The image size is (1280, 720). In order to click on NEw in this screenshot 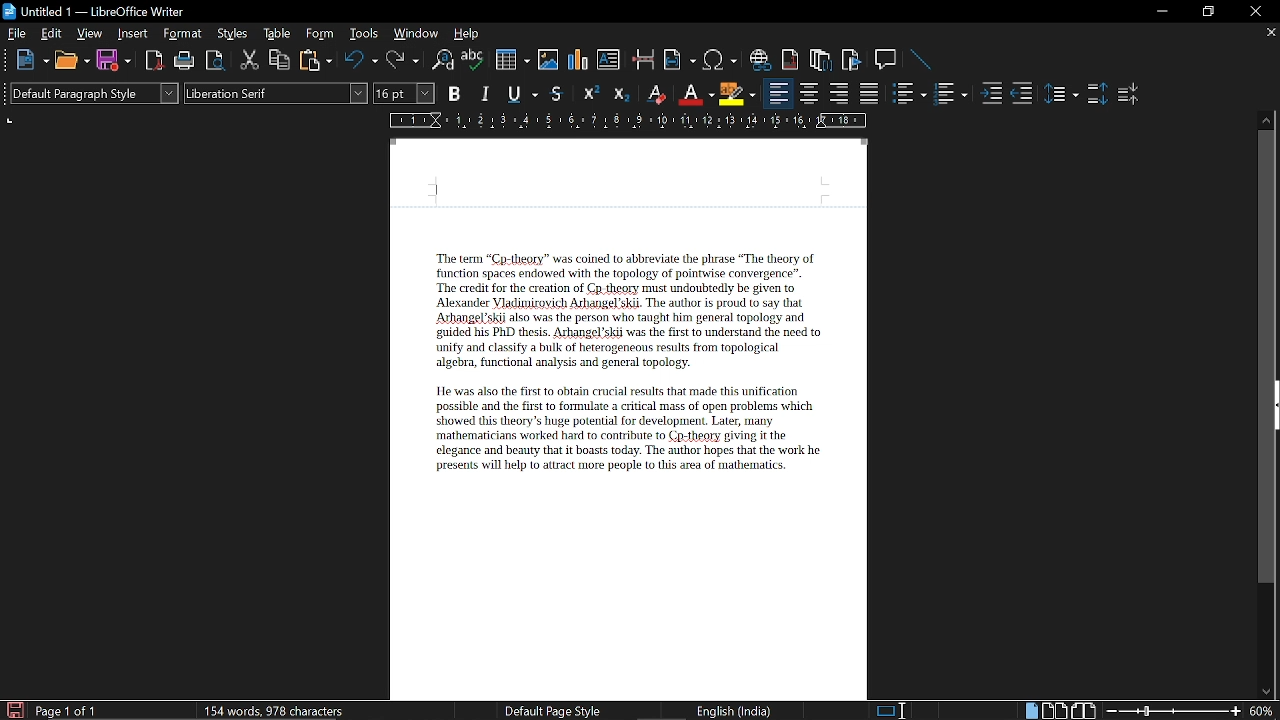, I will do `click(26, 60)`.